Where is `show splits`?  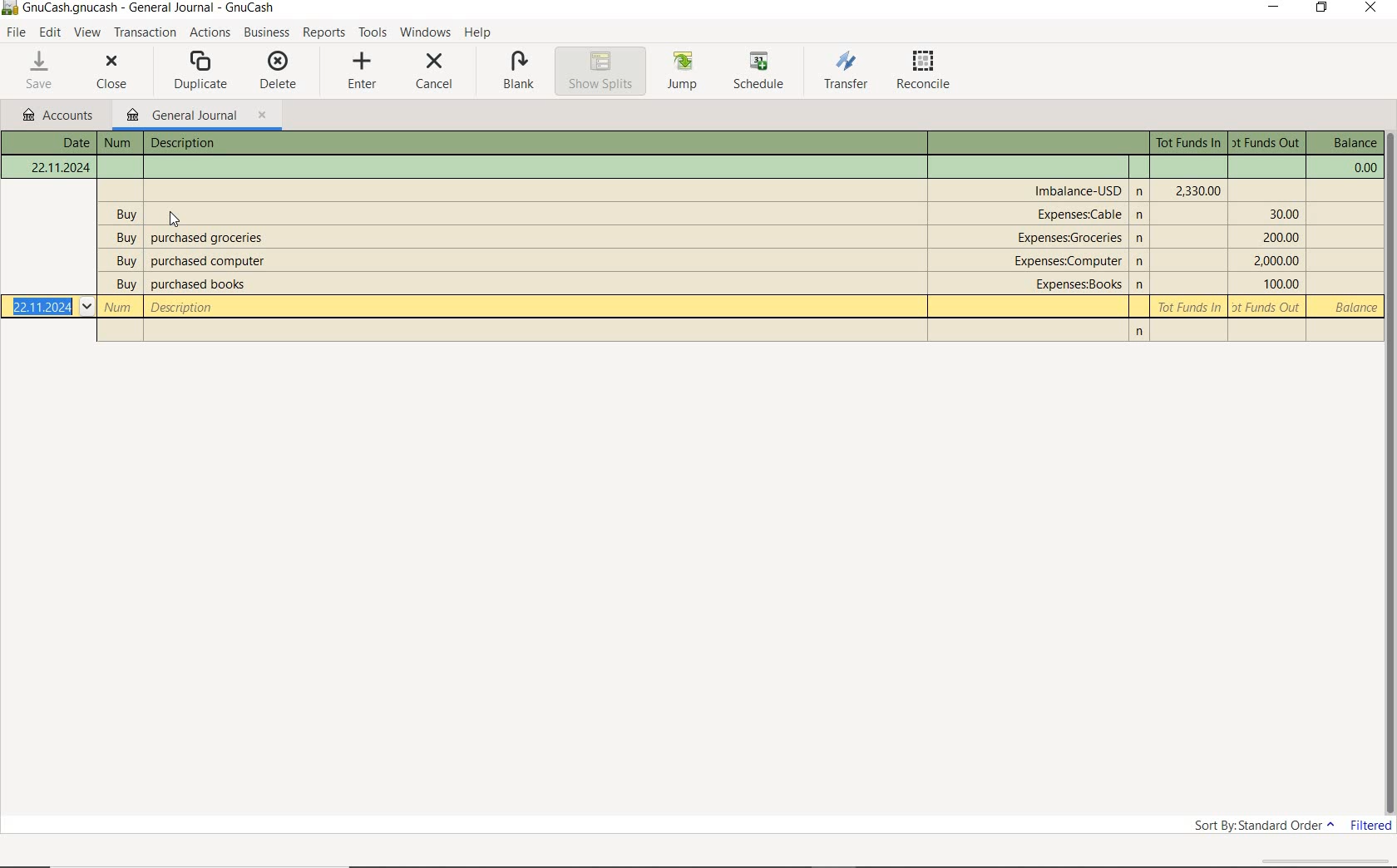 show splits is located at coordinates (600, 71).